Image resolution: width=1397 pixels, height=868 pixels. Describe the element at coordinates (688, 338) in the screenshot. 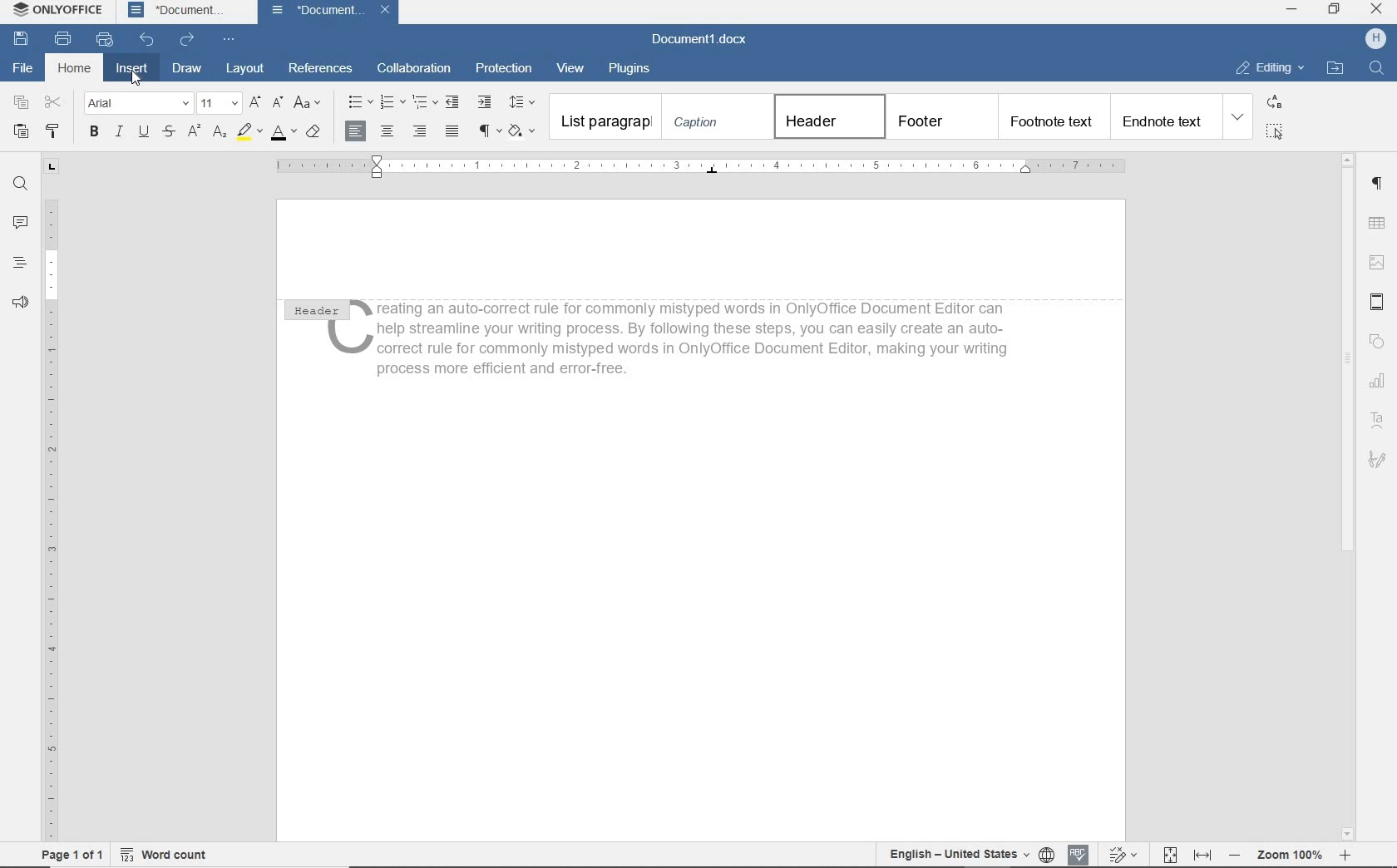

I see `, reating an auto-correct rule for commonly mistyped words in OnlyOffice Document Editor can
help streamline your writing process. By following these steps, you can easily create an auto-

correct rule for commonly mistyped words in OnlyOffice Document Editor, making your writing
process more efficient and error-free |` at that location.